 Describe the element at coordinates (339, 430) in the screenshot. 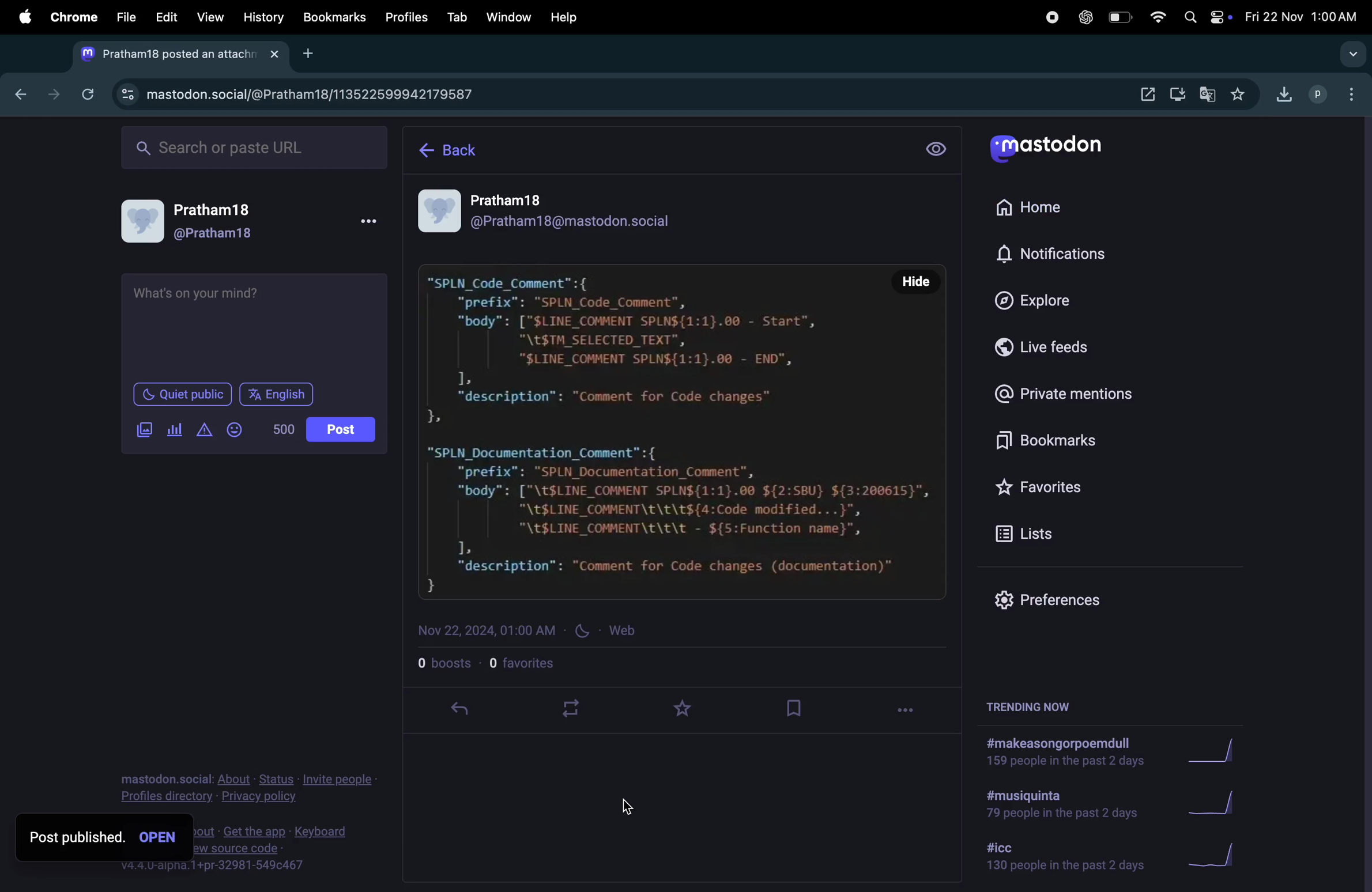

I see `post` at that location.